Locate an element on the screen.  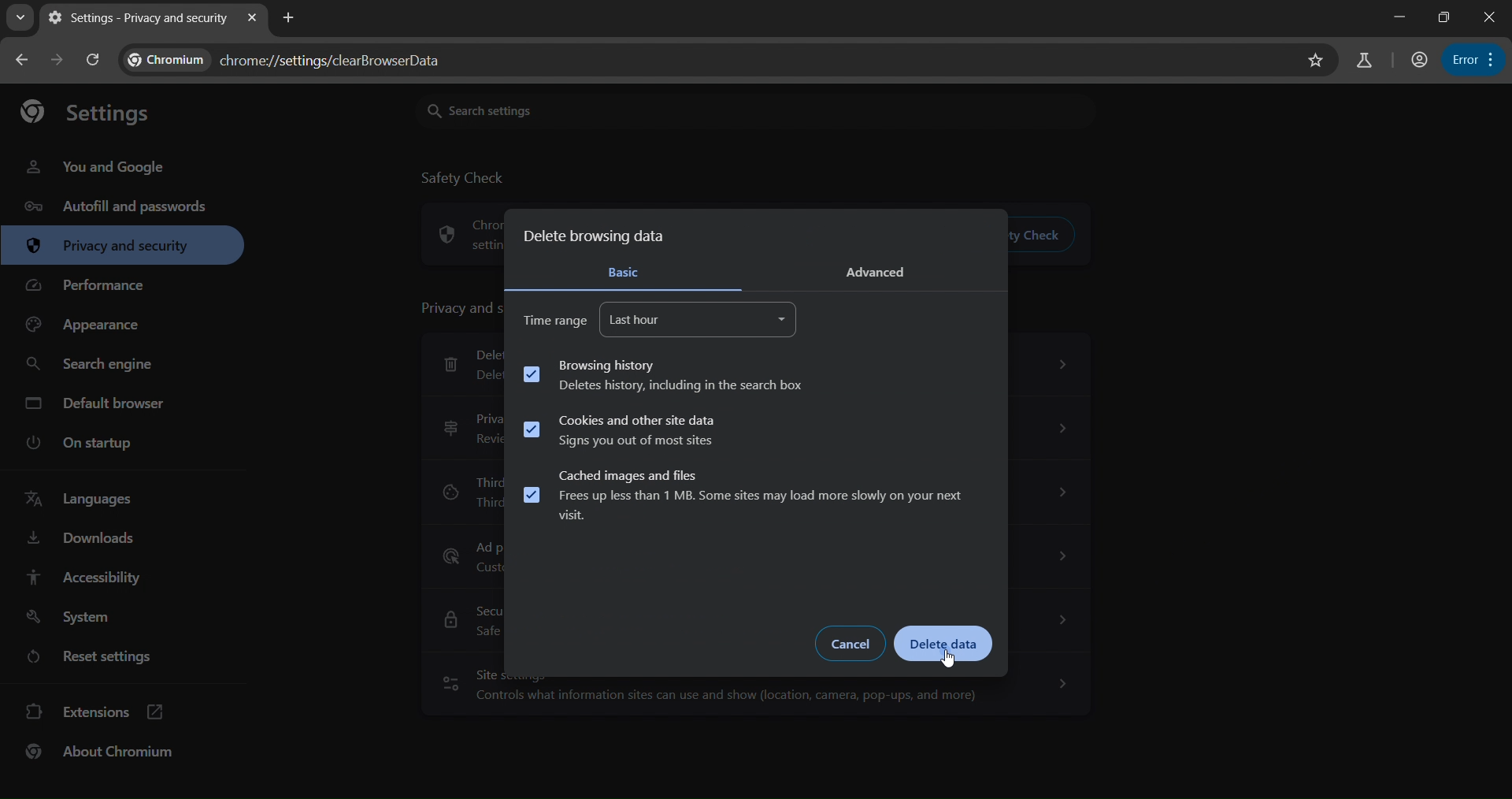
you & google is located at coordinates (109, 166).